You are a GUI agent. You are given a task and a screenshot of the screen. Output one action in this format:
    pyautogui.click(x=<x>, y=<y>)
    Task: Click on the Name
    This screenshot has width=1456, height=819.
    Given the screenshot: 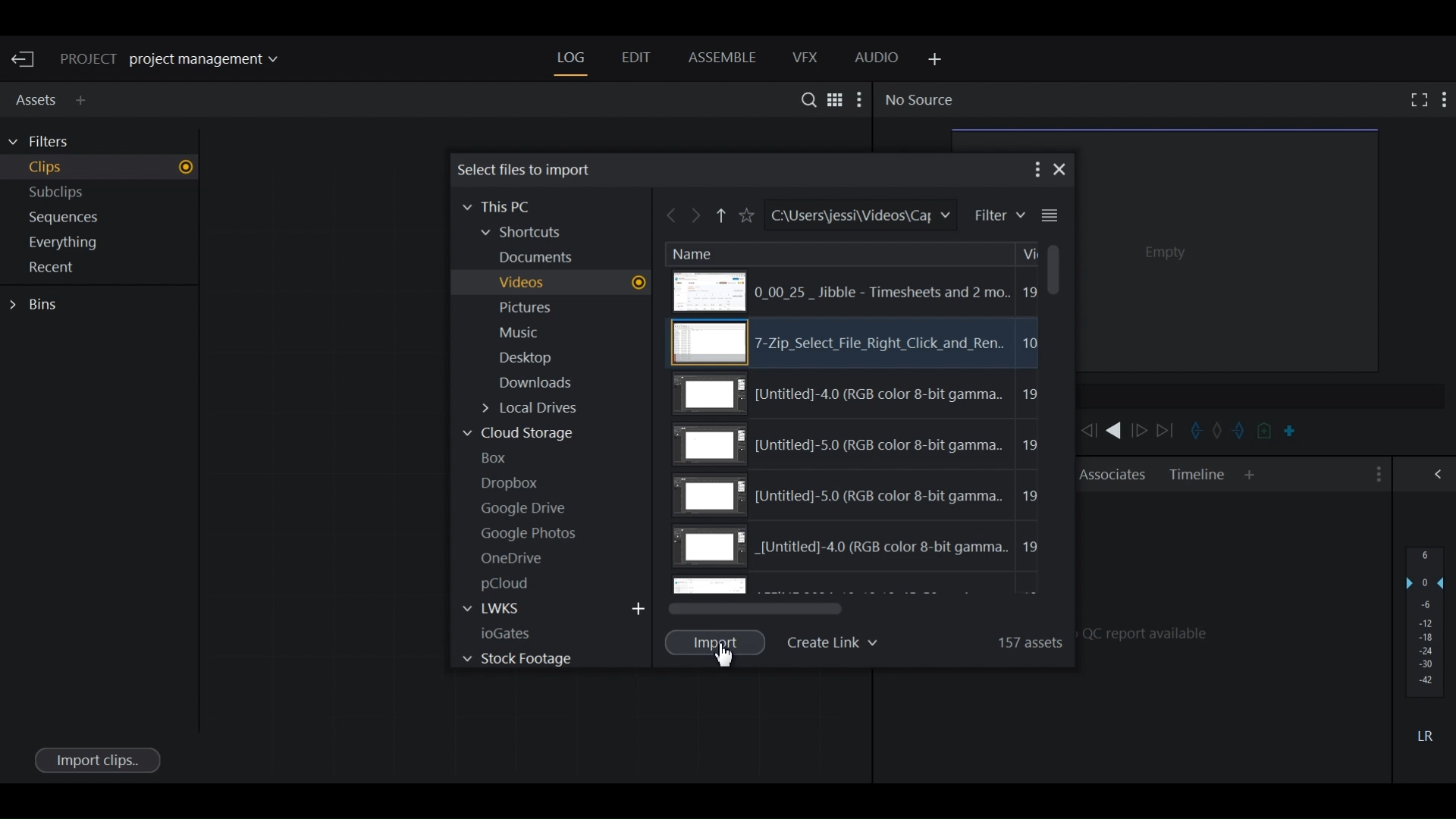 What is the action you would take?
    pyautogui.click(x=693, y=253)
    